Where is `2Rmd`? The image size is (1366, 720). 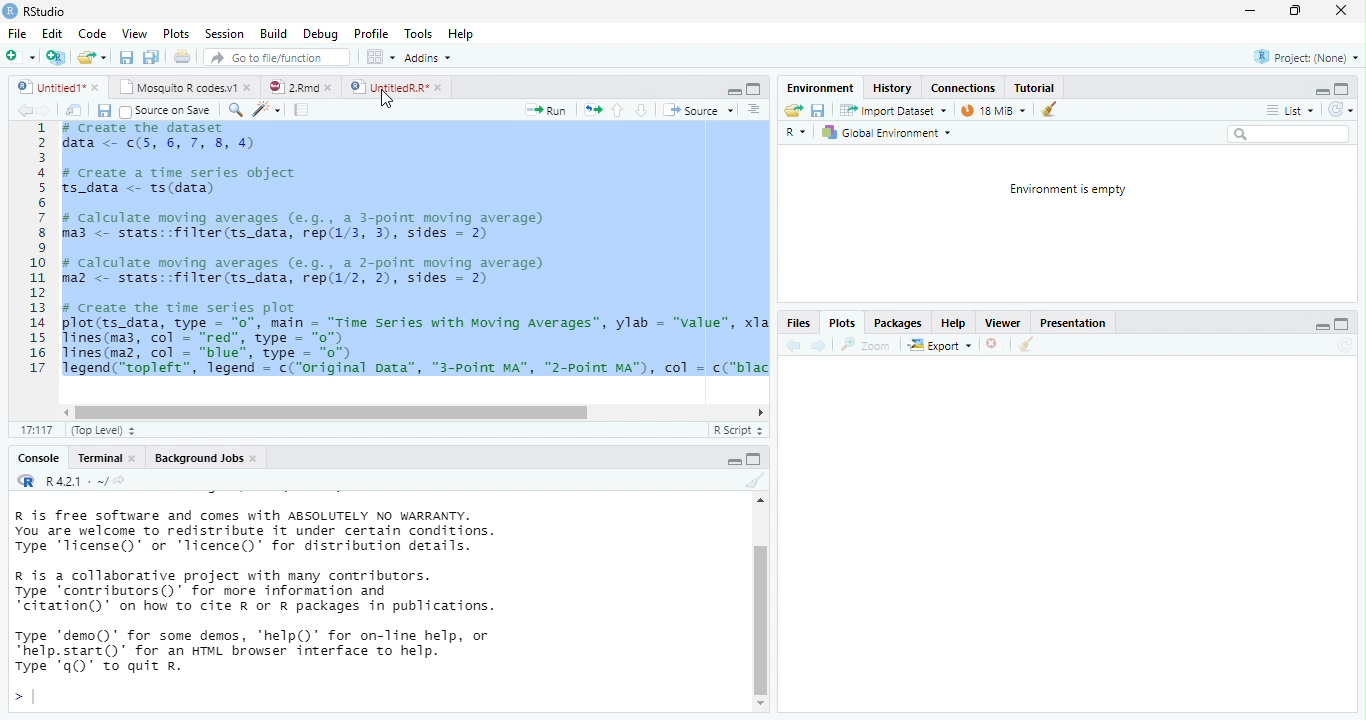 2Rmd is located at coordinates (291, 87).